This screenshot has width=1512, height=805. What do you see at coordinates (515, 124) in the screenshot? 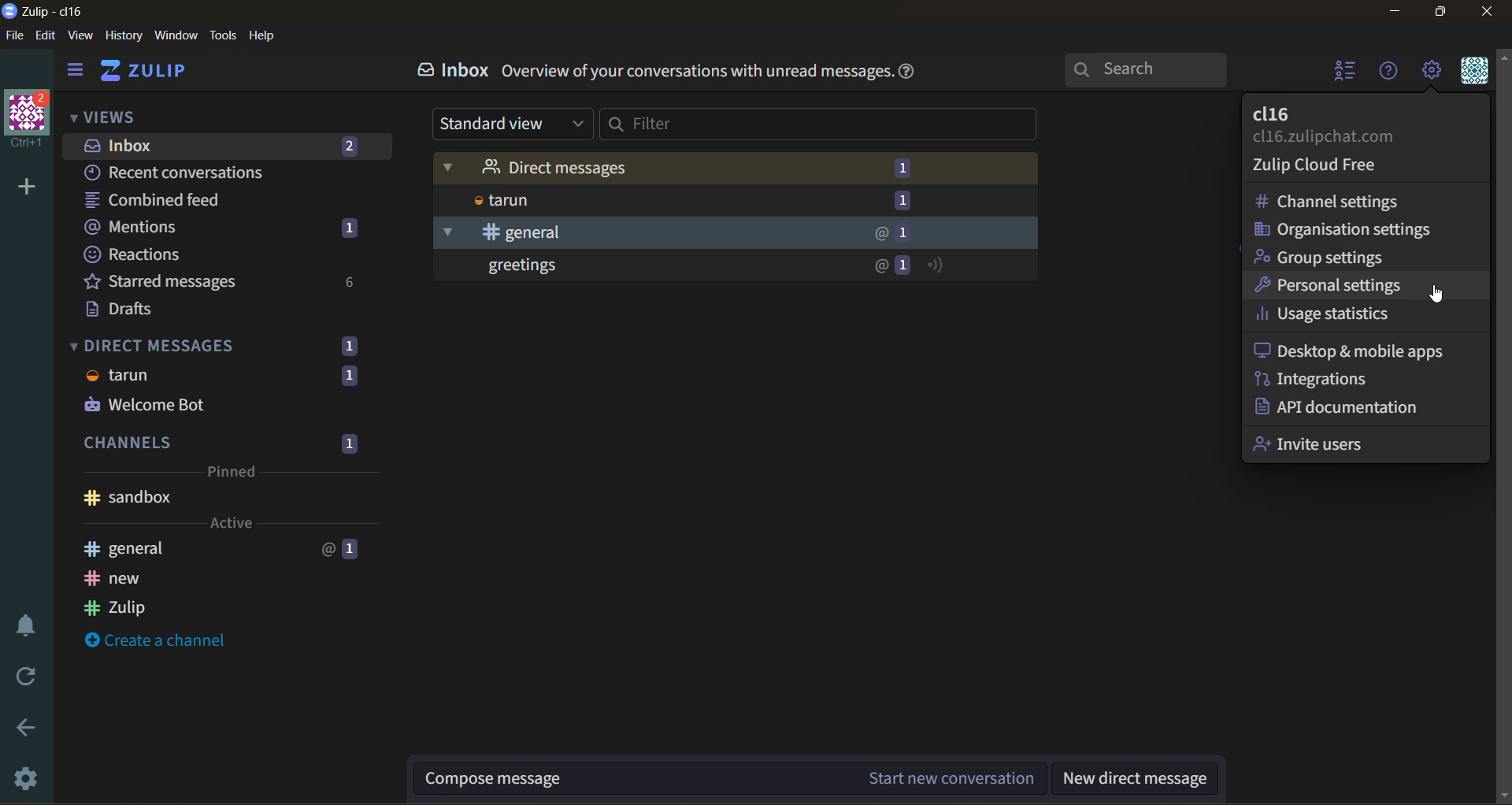
I see `type of view` at bounding box center [515, 124].